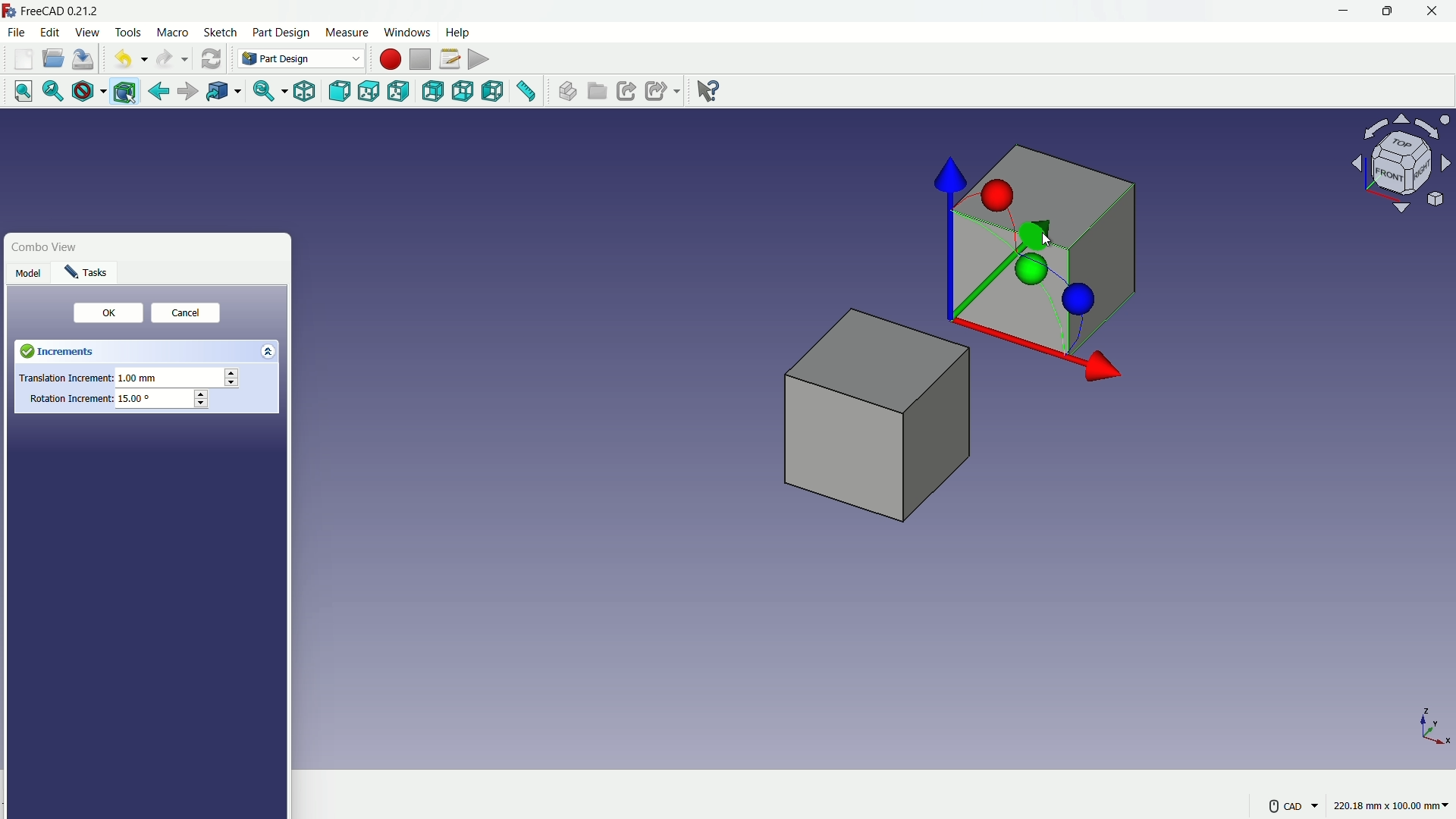 The width and height of the screenshot is (1456, 819). Describe the element at coordinates (29, 274) in the screenshot. I see `Model` at that location.